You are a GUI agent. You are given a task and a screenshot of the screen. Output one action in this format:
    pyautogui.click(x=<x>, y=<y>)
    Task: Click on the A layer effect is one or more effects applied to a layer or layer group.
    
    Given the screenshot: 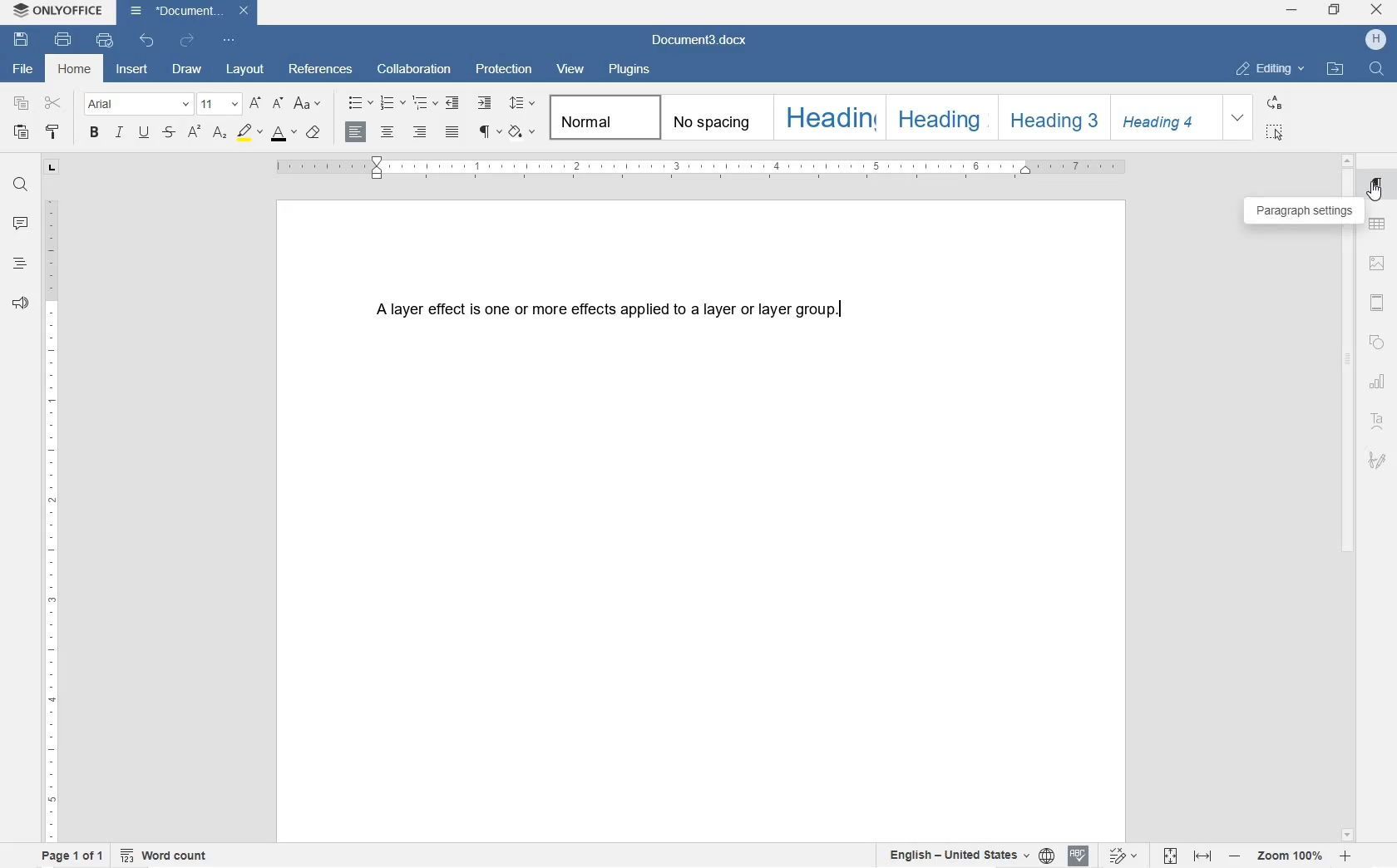 What is the action you would take?
    pyautogui.click(x=647, y=303)
    